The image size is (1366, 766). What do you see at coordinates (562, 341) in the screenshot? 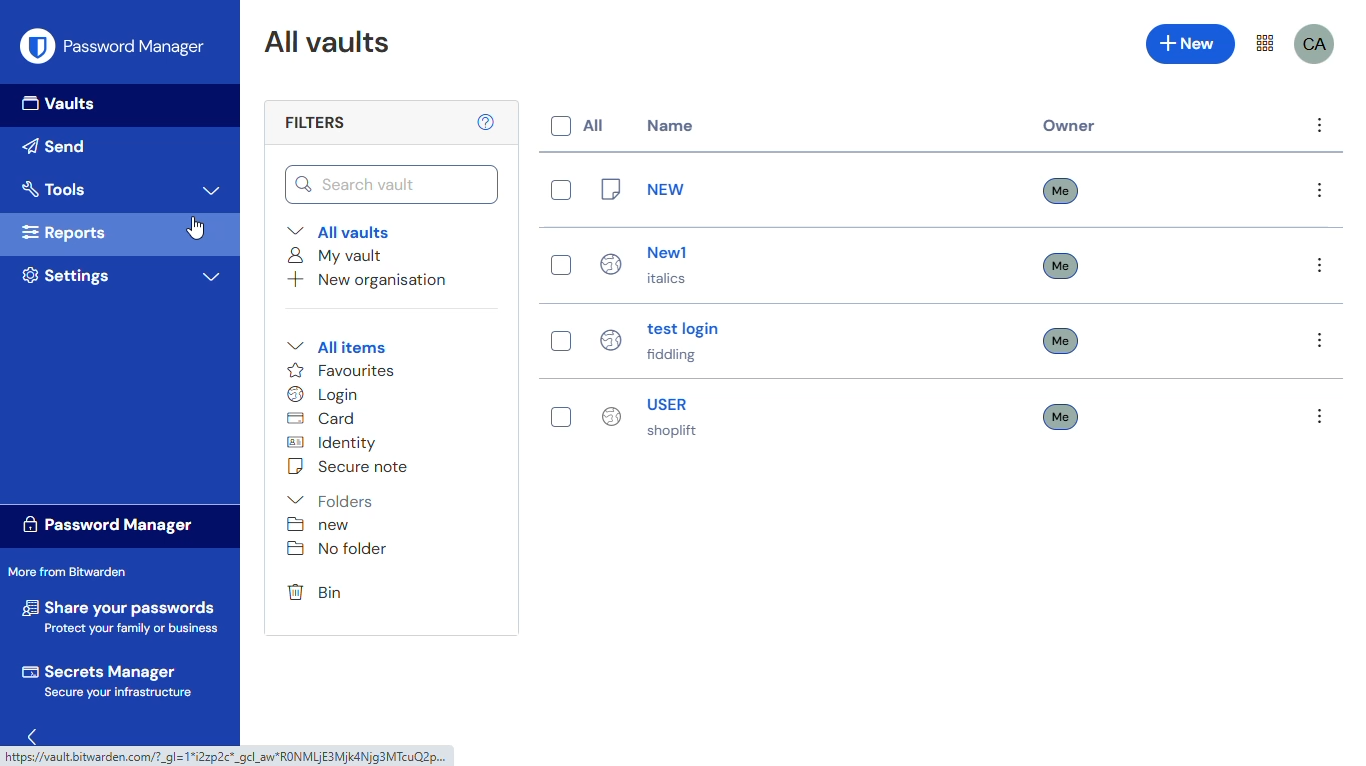
I see `checkbox` at bounding box center [562, 341].